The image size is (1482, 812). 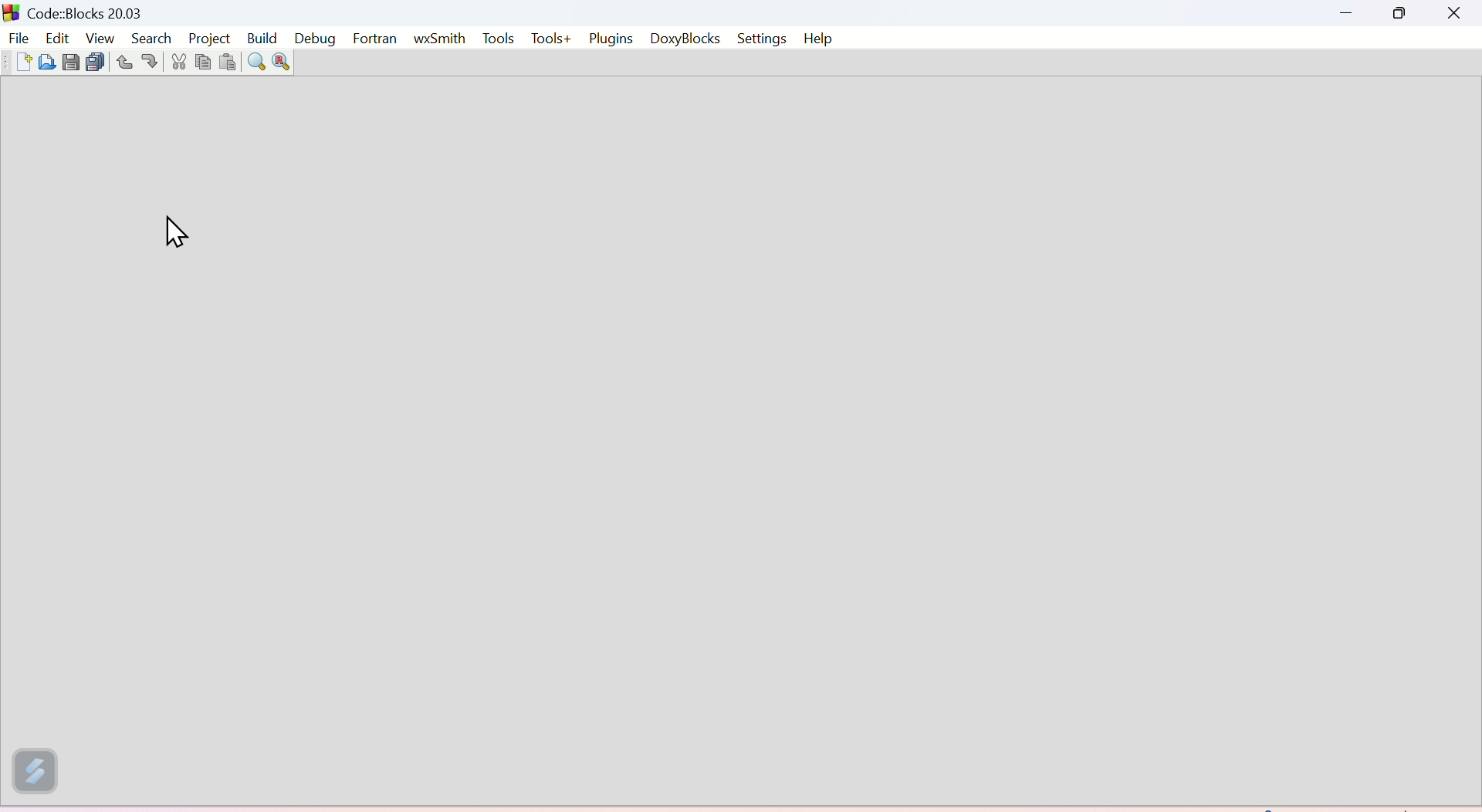 I want to click on Maximise, so click(x=1399, y=15).